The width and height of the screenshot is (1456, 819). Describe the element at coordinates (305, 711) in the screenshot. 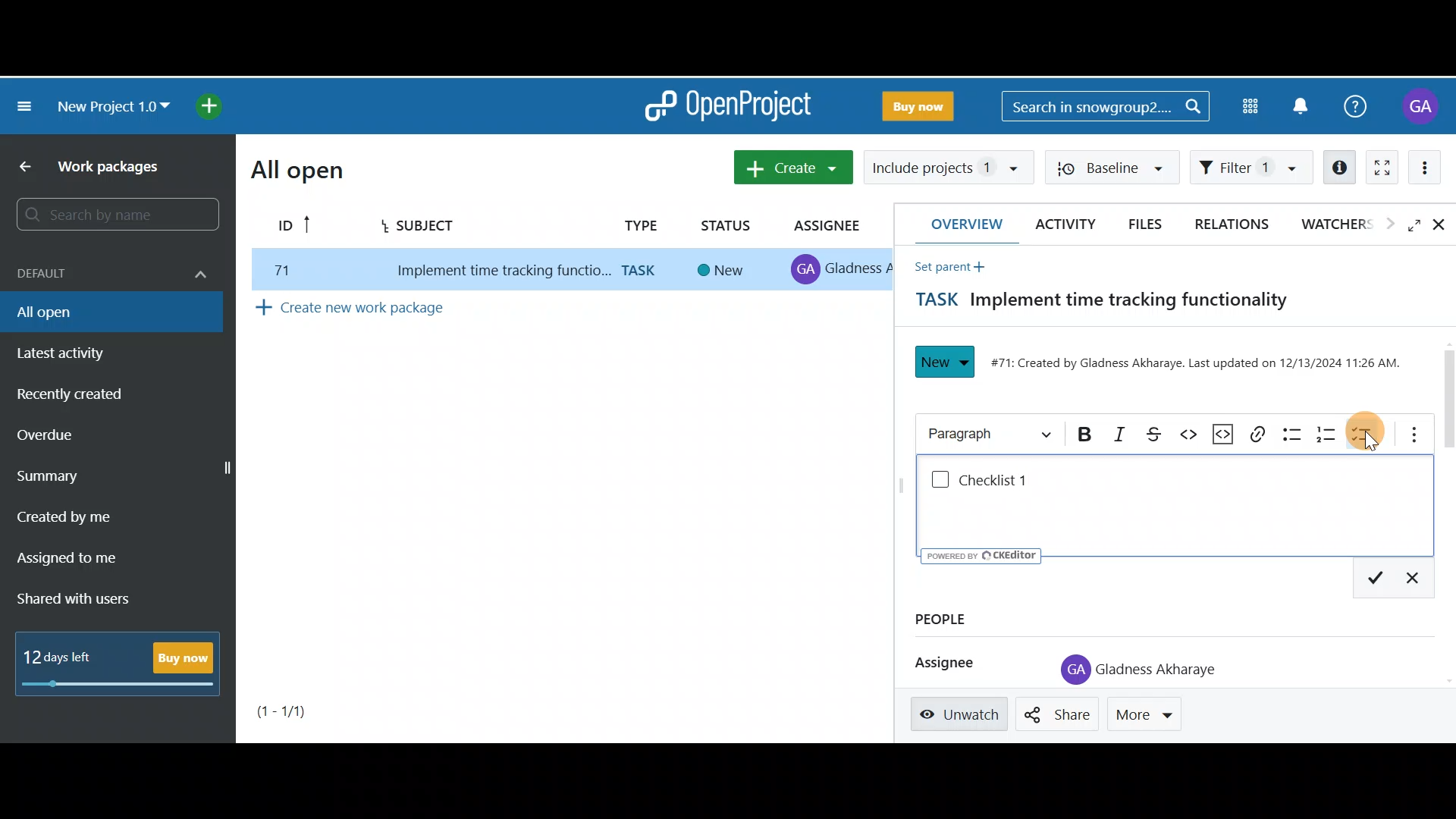

I see `Page number` at that location.